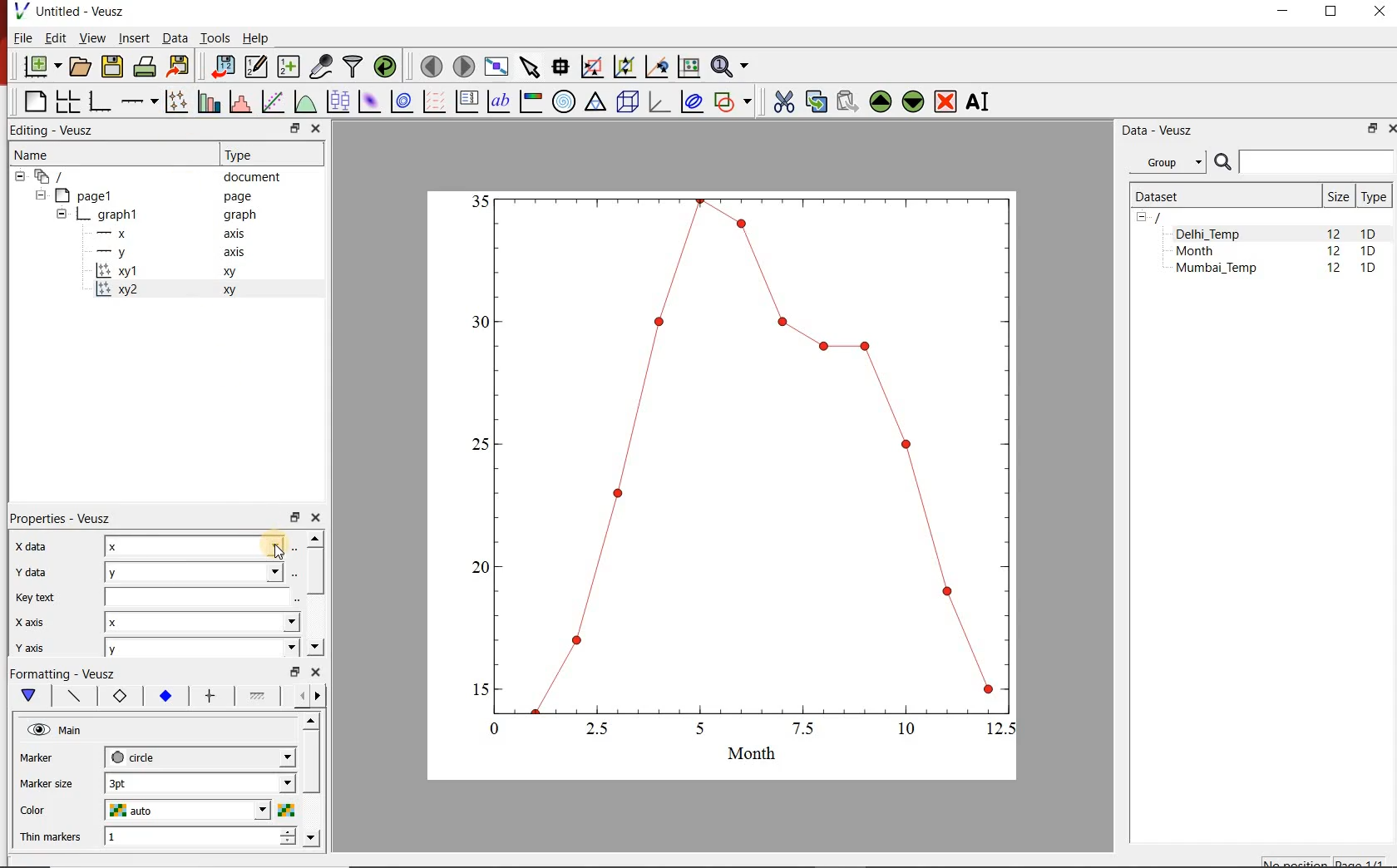 The image size is (1397, 868). I want to click on -y axis, so click(164, 254).